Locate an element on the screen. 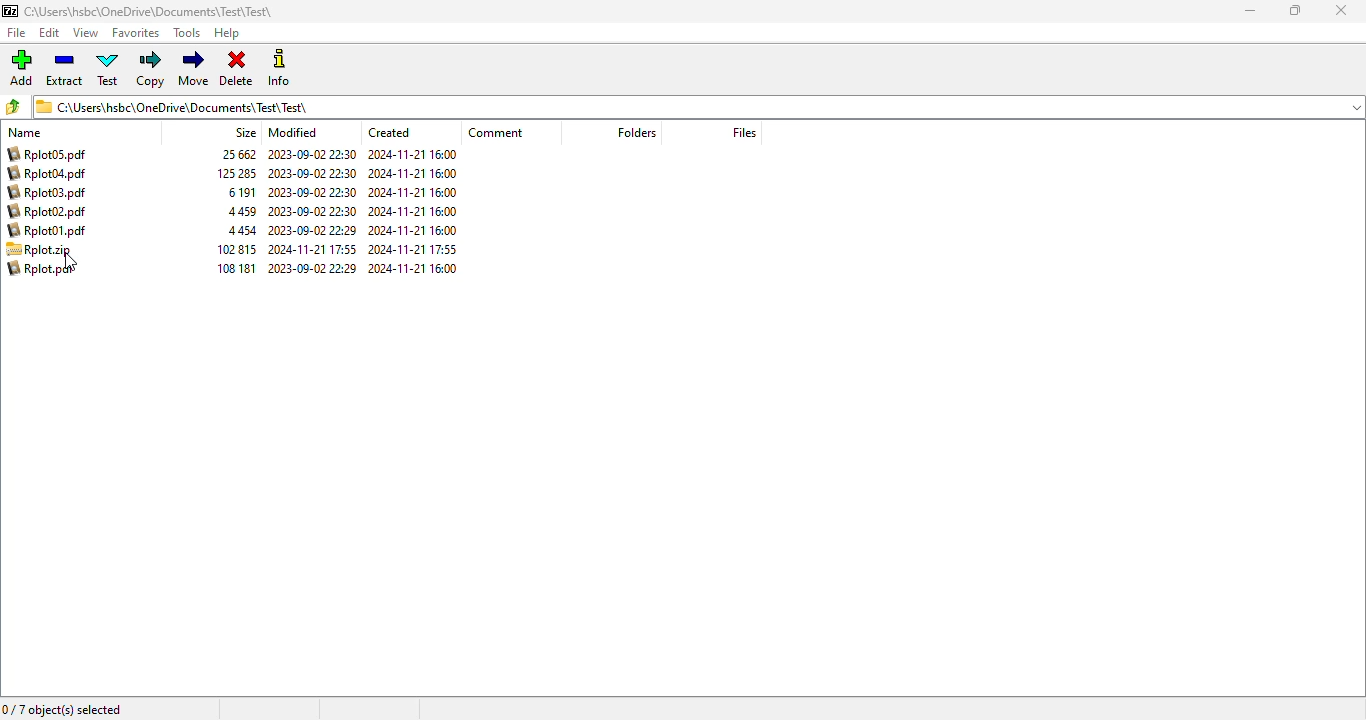  test is located at coordinates (109, 68).